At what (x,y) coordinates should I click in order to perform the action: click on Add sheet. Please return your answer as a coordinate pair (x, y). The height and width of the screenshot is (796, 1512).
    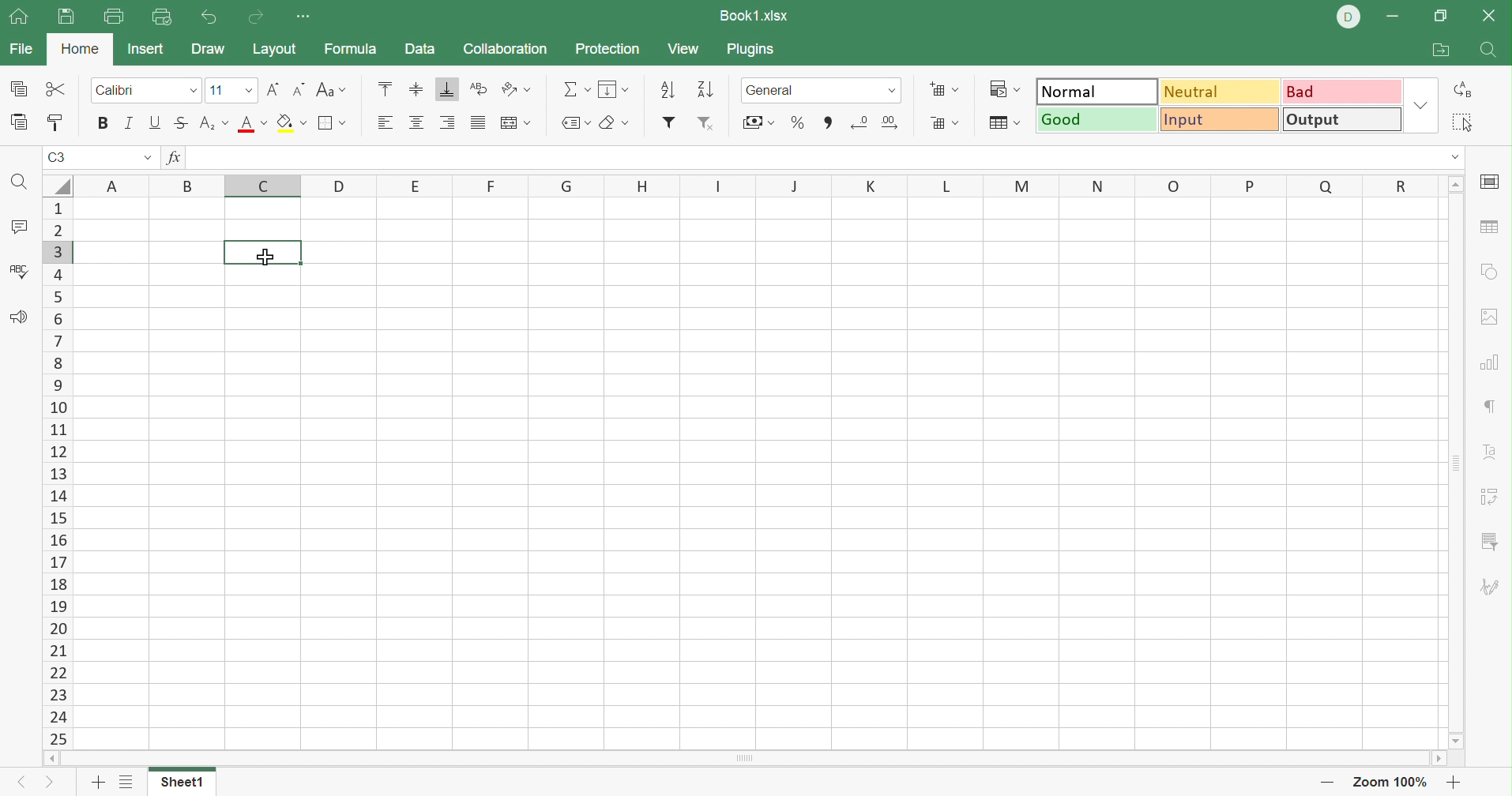
    Looking at the image, I should click on (100, 782).